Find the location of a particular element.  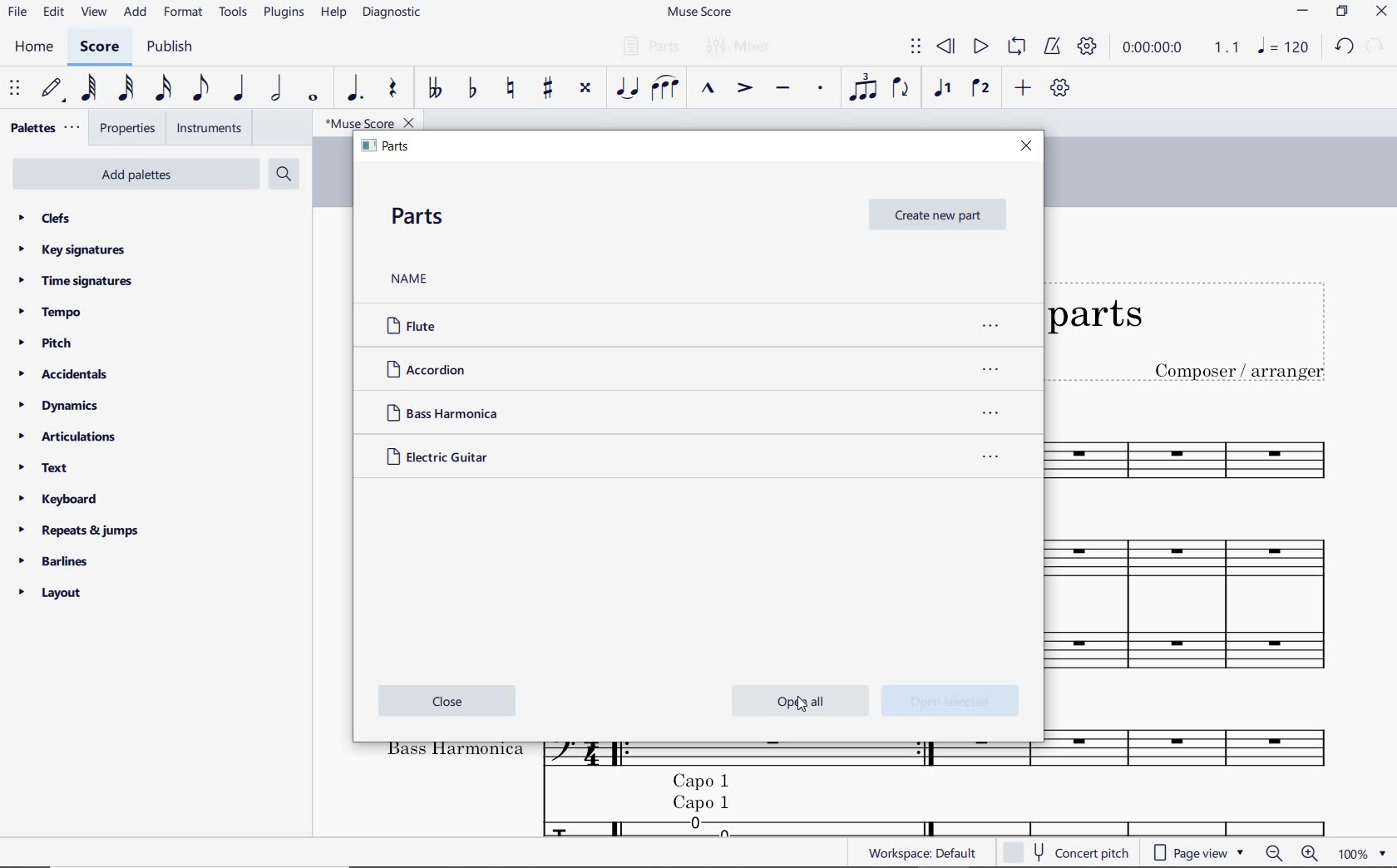

dynamics is located at coordinates (57, 406).